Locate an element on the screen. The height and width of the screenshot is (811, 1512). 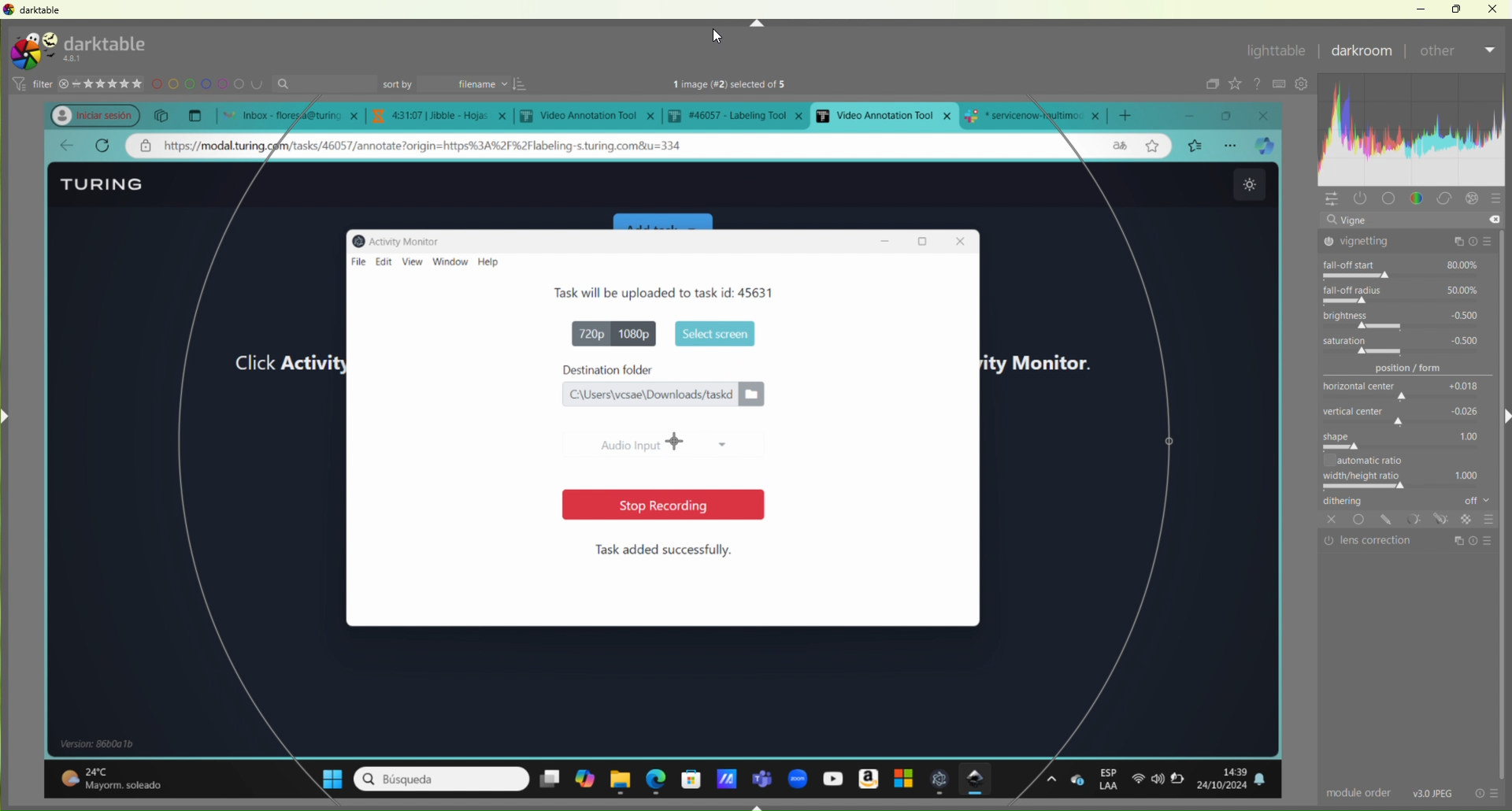
lightable is located at coordinates (1277, 51).